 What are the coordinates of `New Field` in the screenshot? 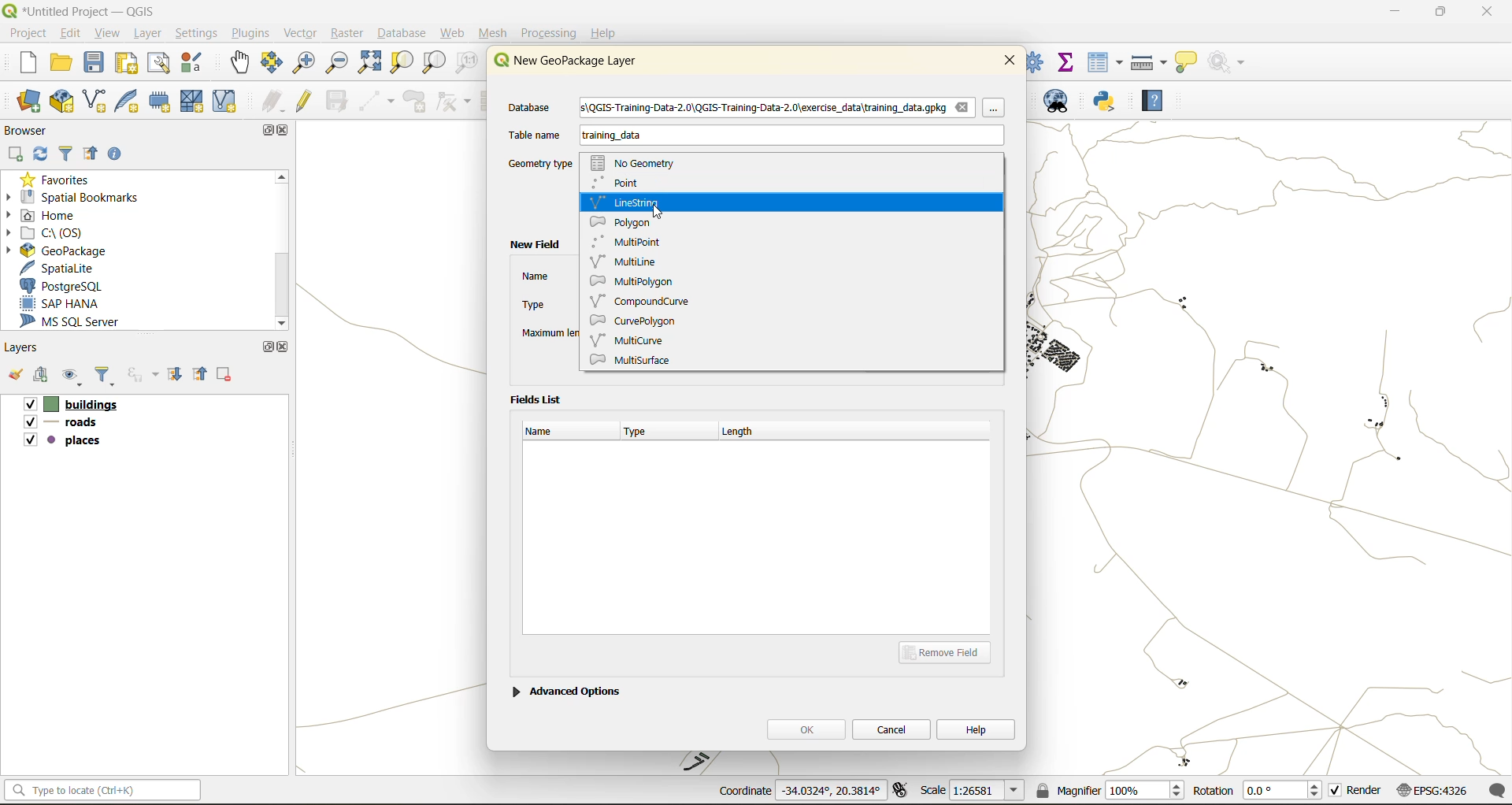 It's located at (533, 245).